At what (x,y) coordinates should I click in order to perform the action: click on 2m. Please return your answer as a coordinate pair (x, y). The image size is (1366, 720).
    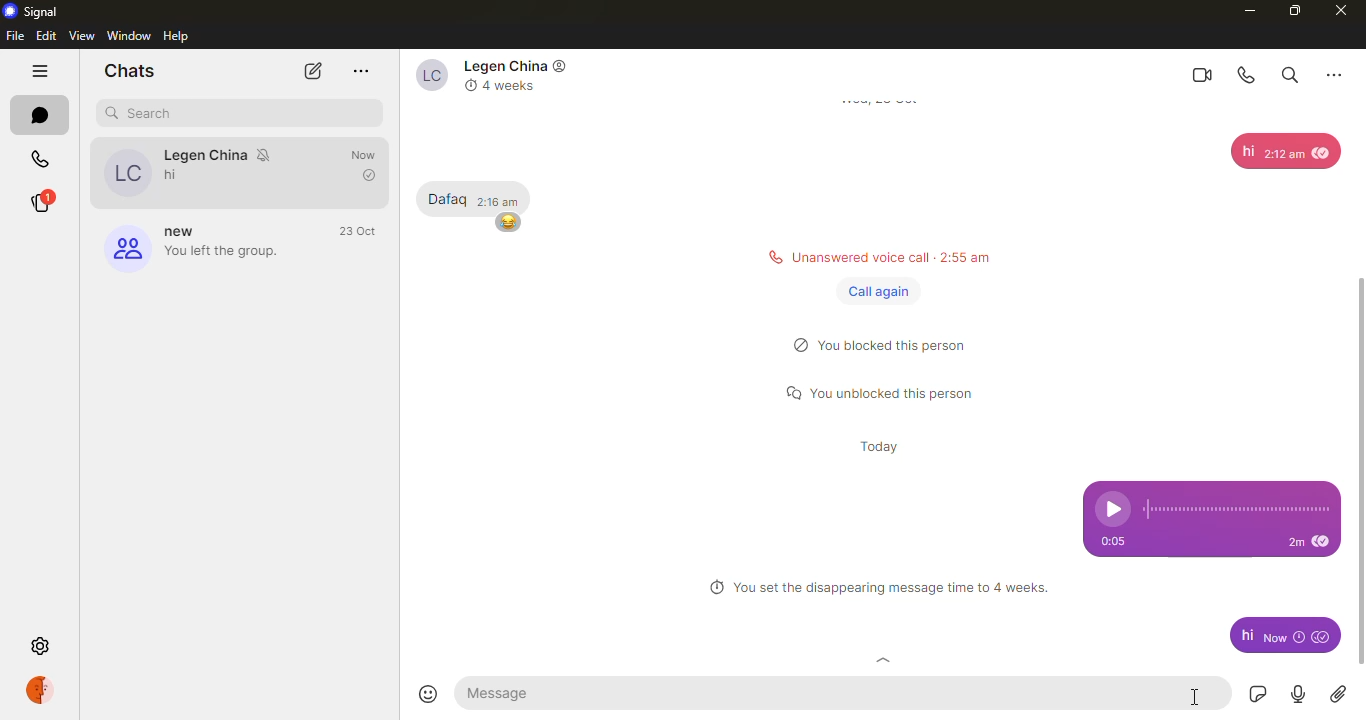
    Looking at the image, I should click on (1296, 545).